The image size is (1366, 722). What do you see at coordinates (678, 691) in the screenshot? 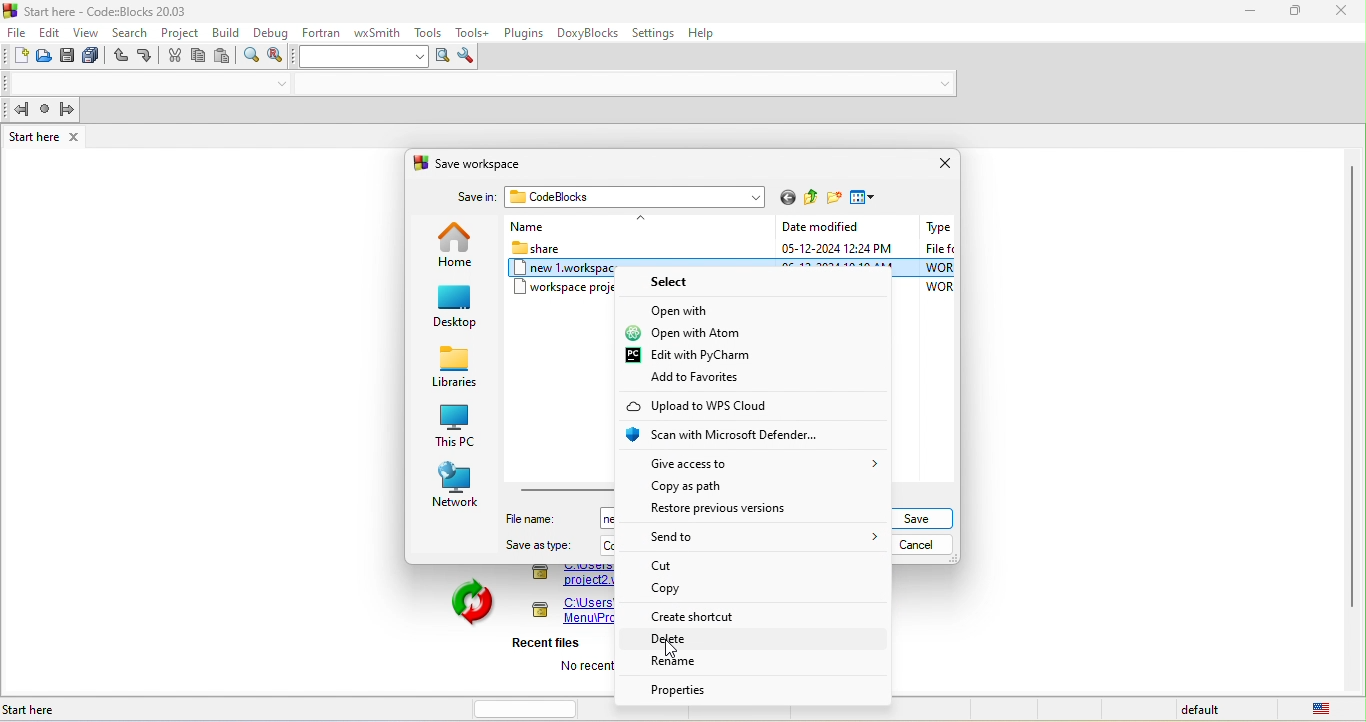
I see `properties` at bounding box center [678, 691].